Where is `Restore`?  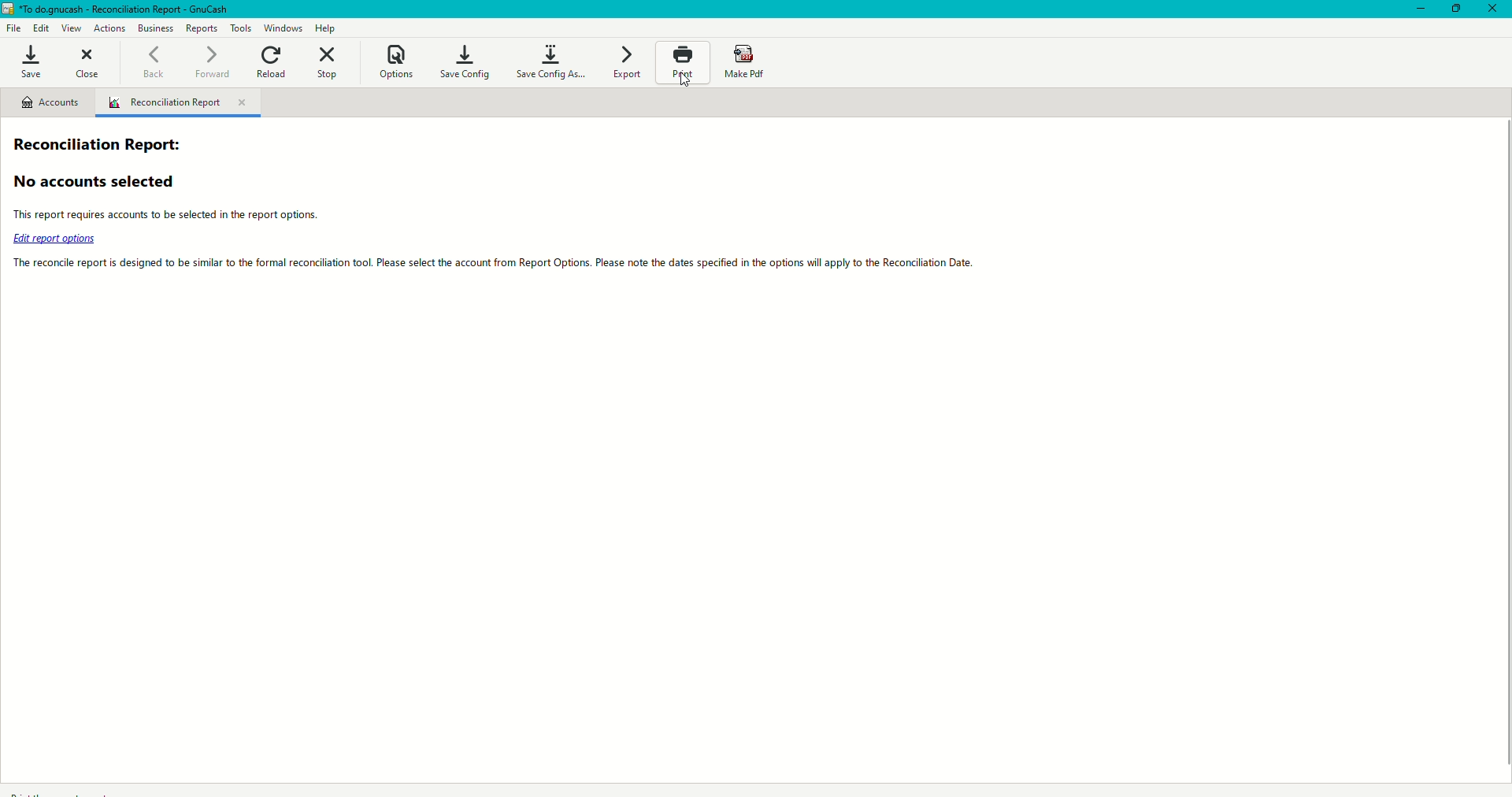
Restore is located at coordinates (1452, 11).